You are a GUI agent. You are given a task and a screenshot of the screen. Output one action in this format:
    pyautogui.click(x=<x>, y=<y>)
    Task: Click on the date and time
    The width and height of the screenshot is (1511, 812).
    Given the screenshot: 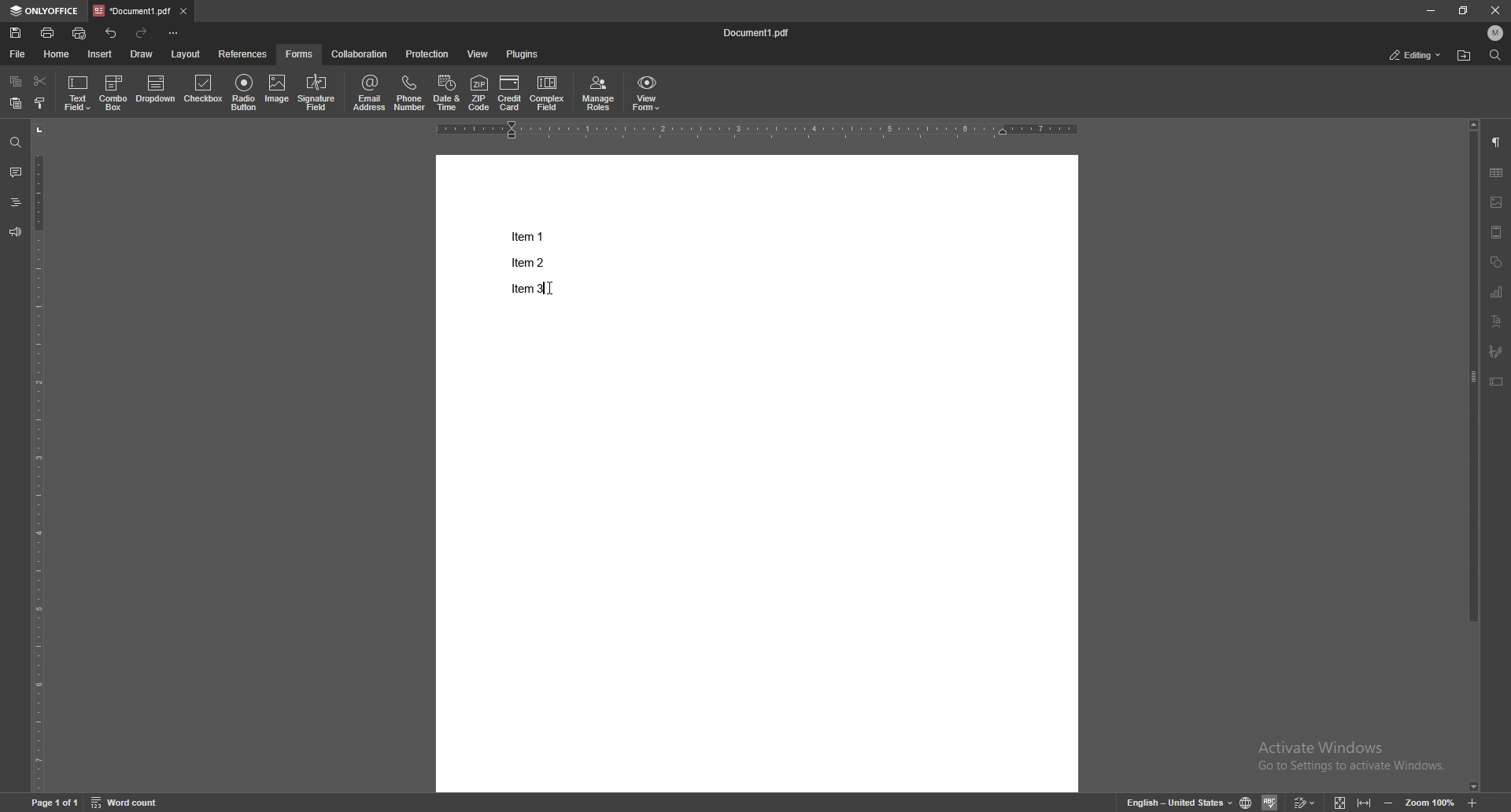 What is the action you would take?
    pyautogui.click(x=447, y=92)
    